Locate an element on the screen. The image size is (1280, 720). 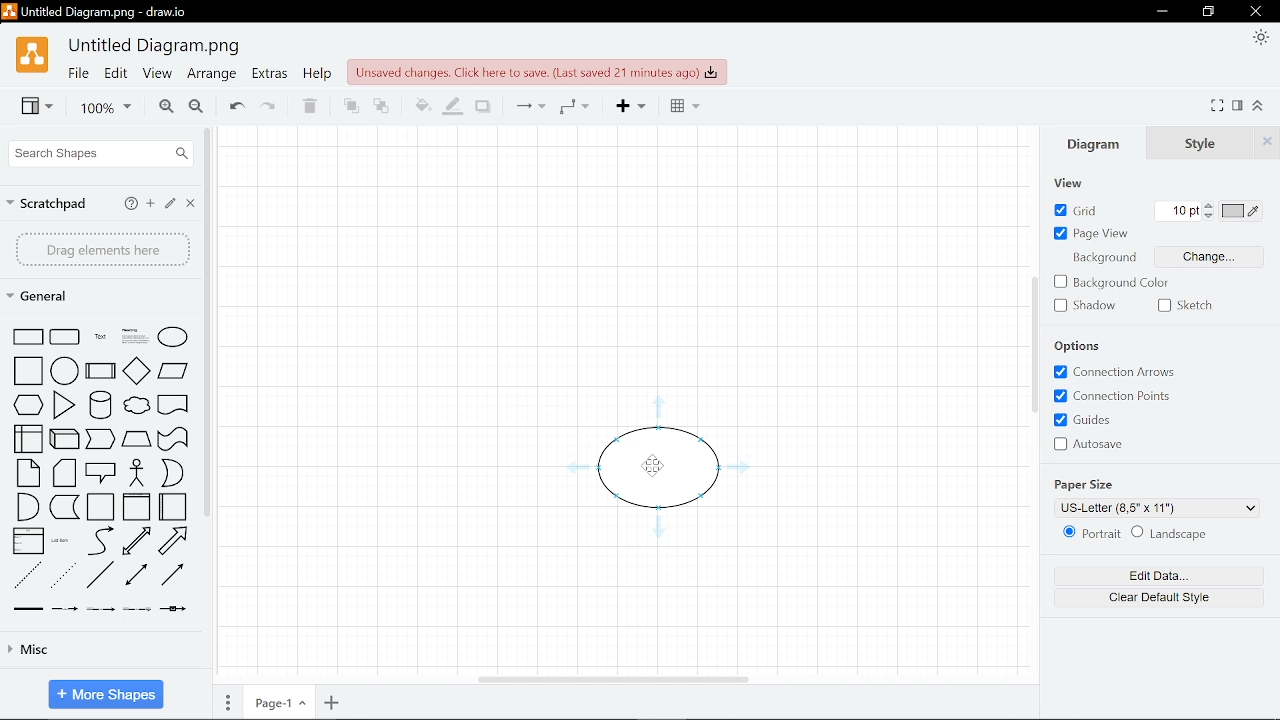
Style is located at coordinates (1202, 141).